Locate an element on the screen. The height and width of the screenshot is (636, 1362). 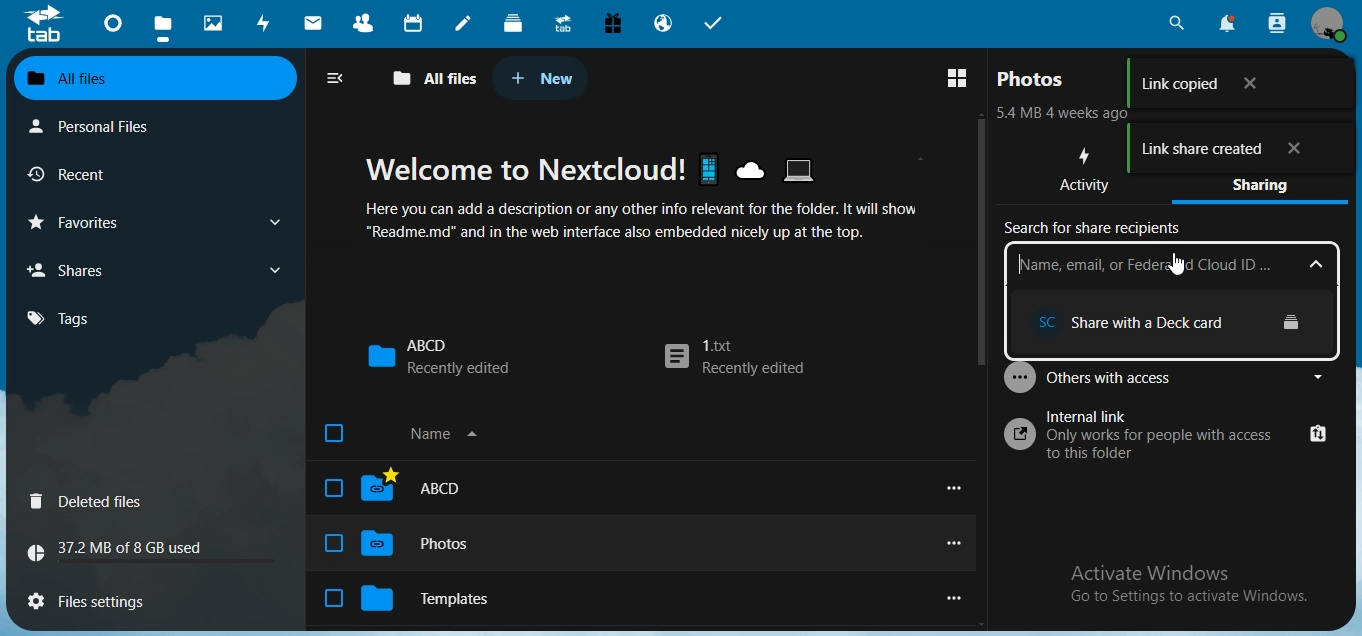
notes is located at coordinates (462, 24).